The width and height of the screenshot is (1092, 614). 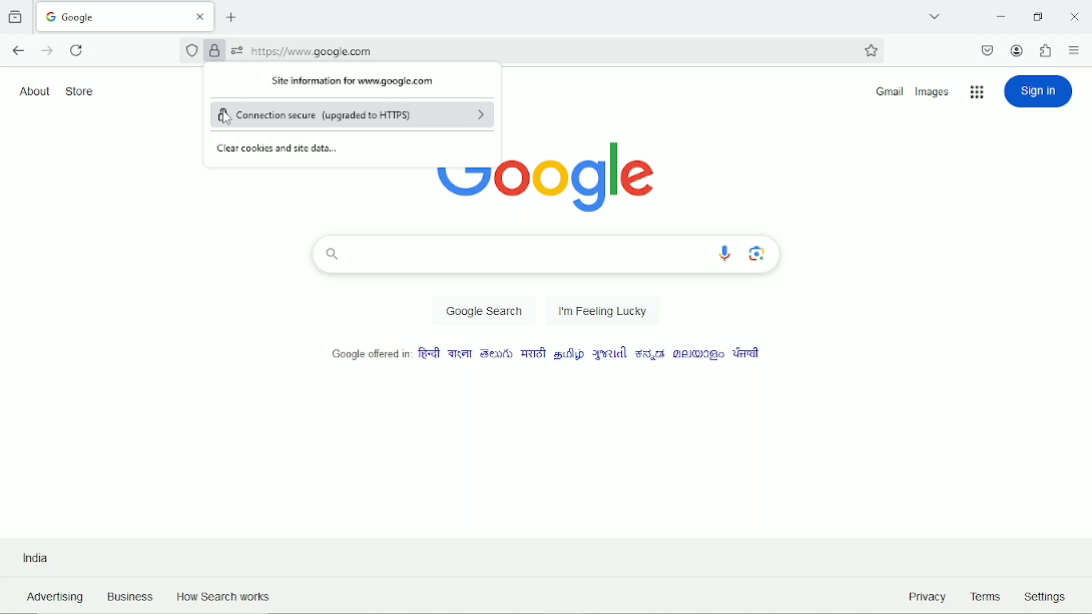 I want to click on Terms, so click(x=987, y=596).